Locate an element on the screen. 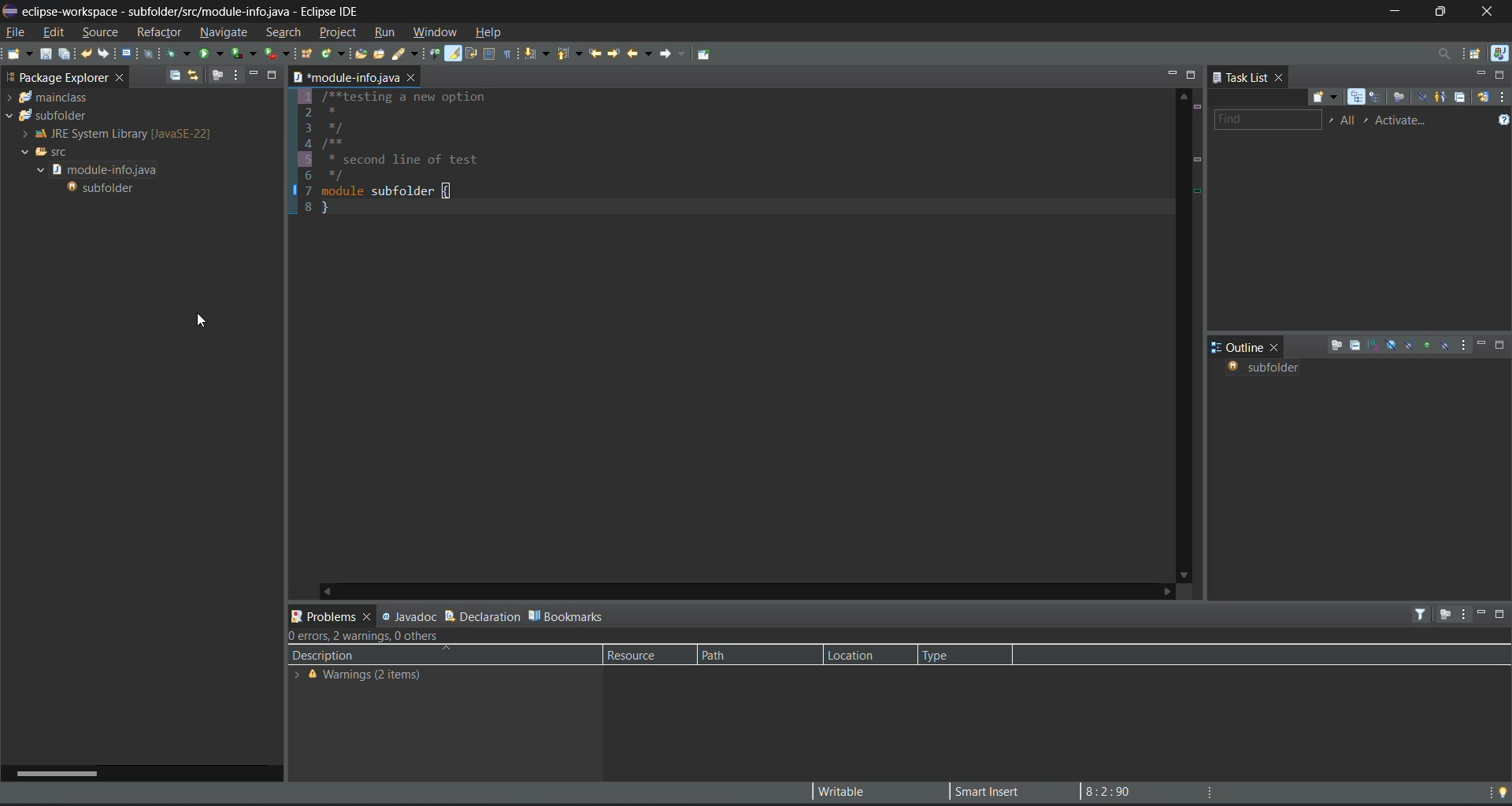  focus on active task is located at coordinates (1336, 346).